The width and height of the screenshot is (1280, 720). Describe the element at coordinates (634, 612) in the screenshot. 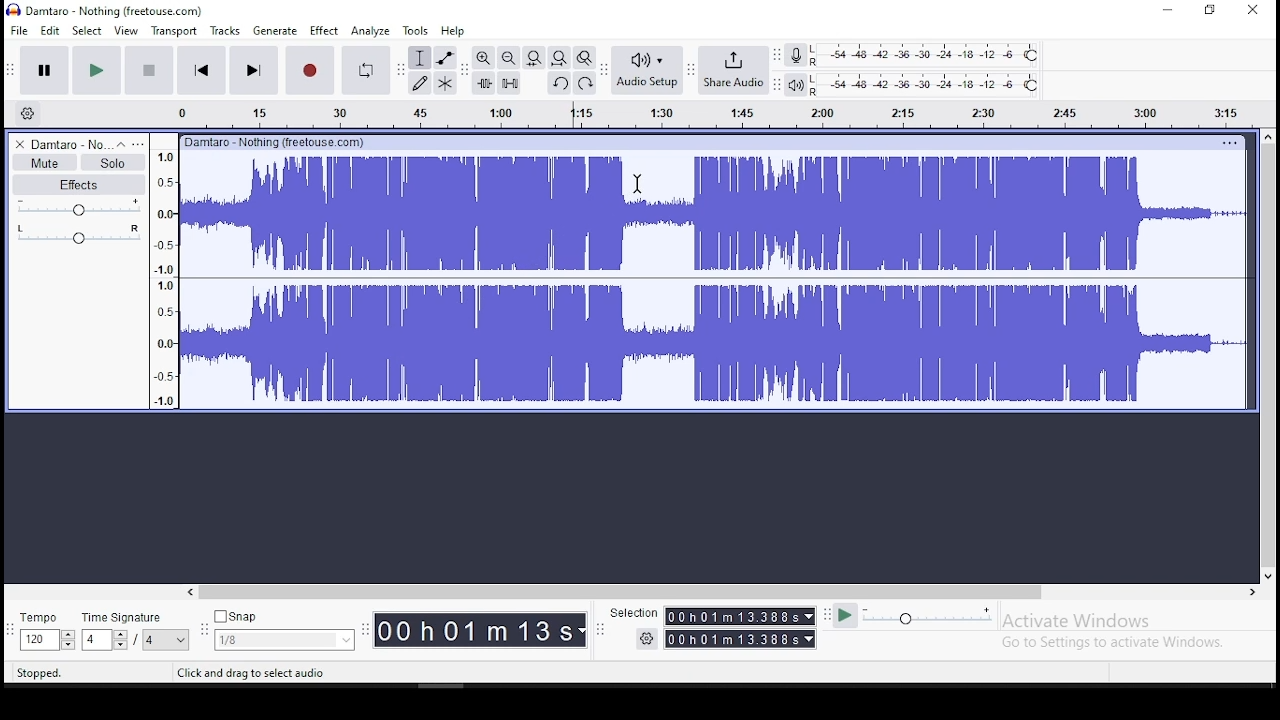

I see `selection` at that location.